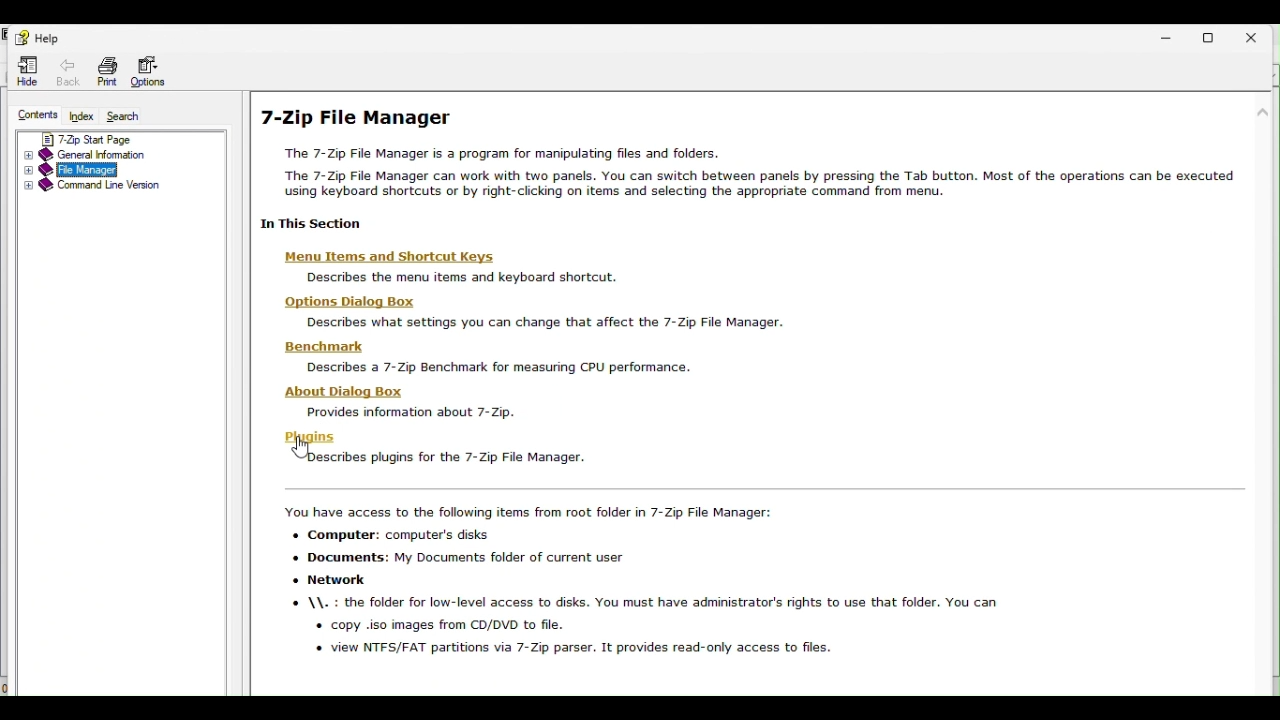 The width and height of the screenshot is (1280, 720). What do you see at coordinates (745, 152) in the screenshot?
I see `7-Zip File Manager
The 7-2ip File Manager is a program for manipulating files and folders.
‘The 7-Zip File Manager can work with two panels. You can switch between panels by pressing the Tab button. Most of the operations can be executed
using keyboard shortcuts or by right-clicking on items and selecting the appropriate command from menu.` at bounding box center [745, 152].